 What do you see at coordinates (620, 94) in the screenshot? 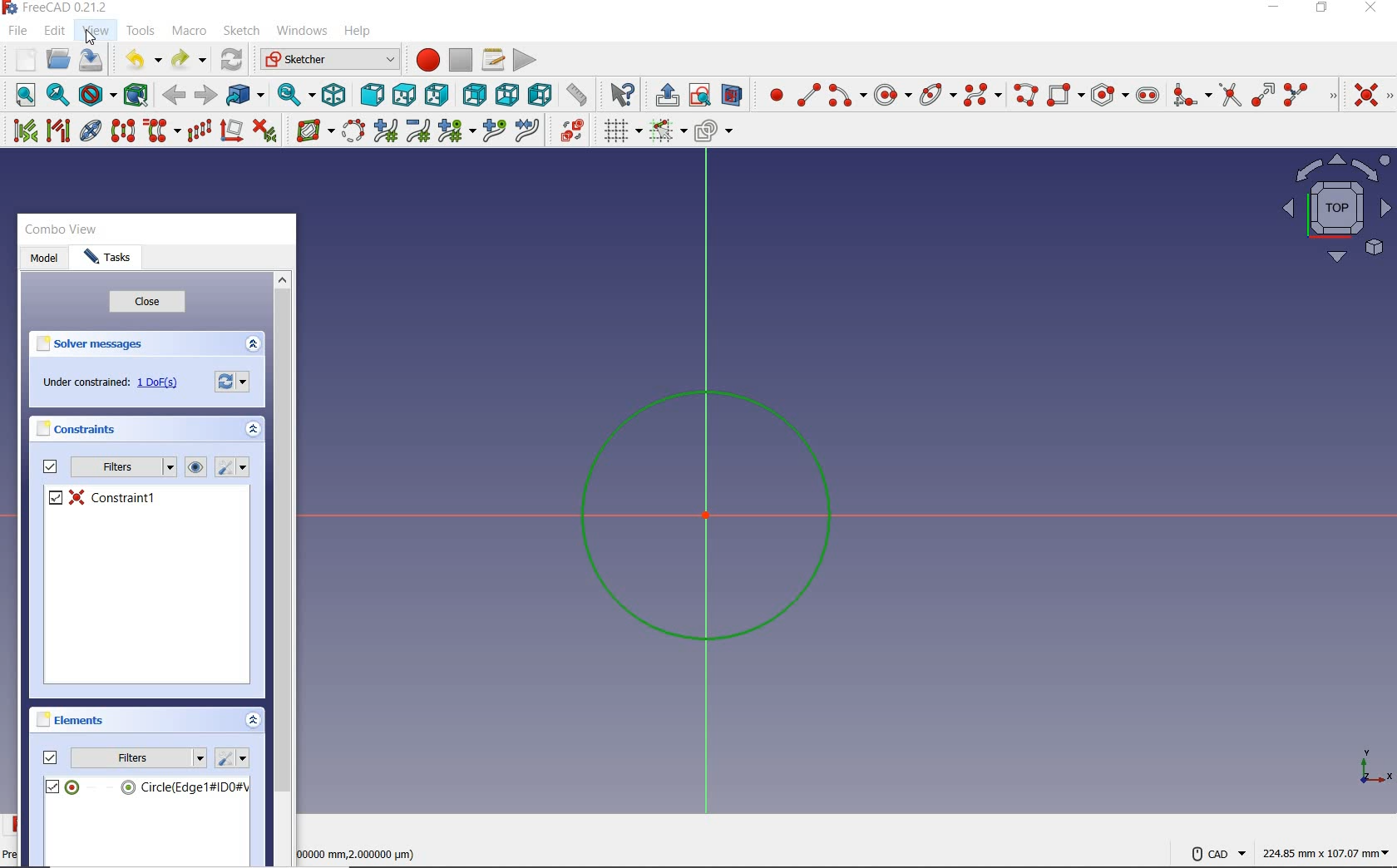
I see `what's this?` at bounding box center [620, 94].